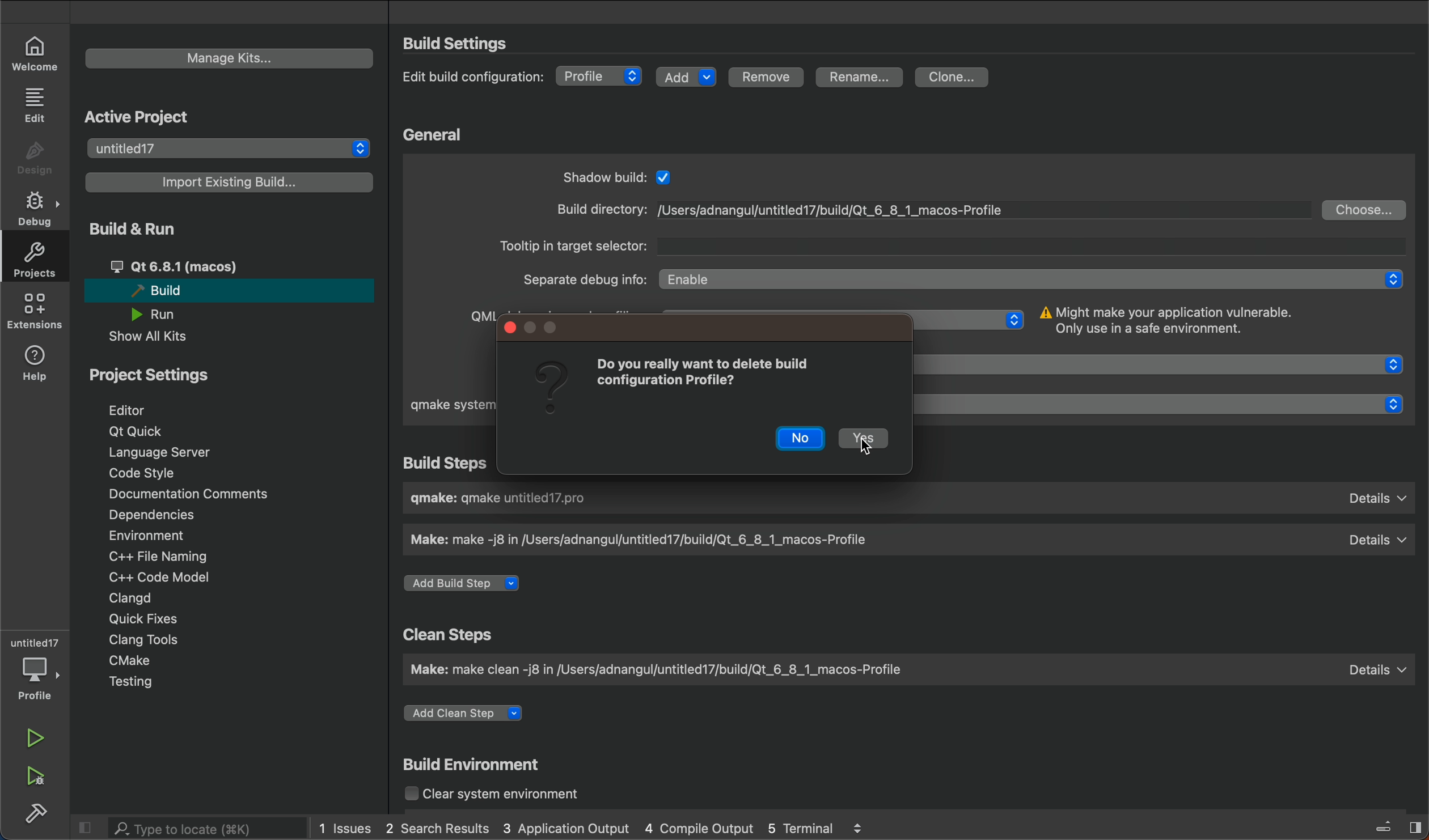 The height and width of the screenshot is (840, 1429). Describe the element at coordinates (805, 440) in the screenshot. I see `no` at that location.